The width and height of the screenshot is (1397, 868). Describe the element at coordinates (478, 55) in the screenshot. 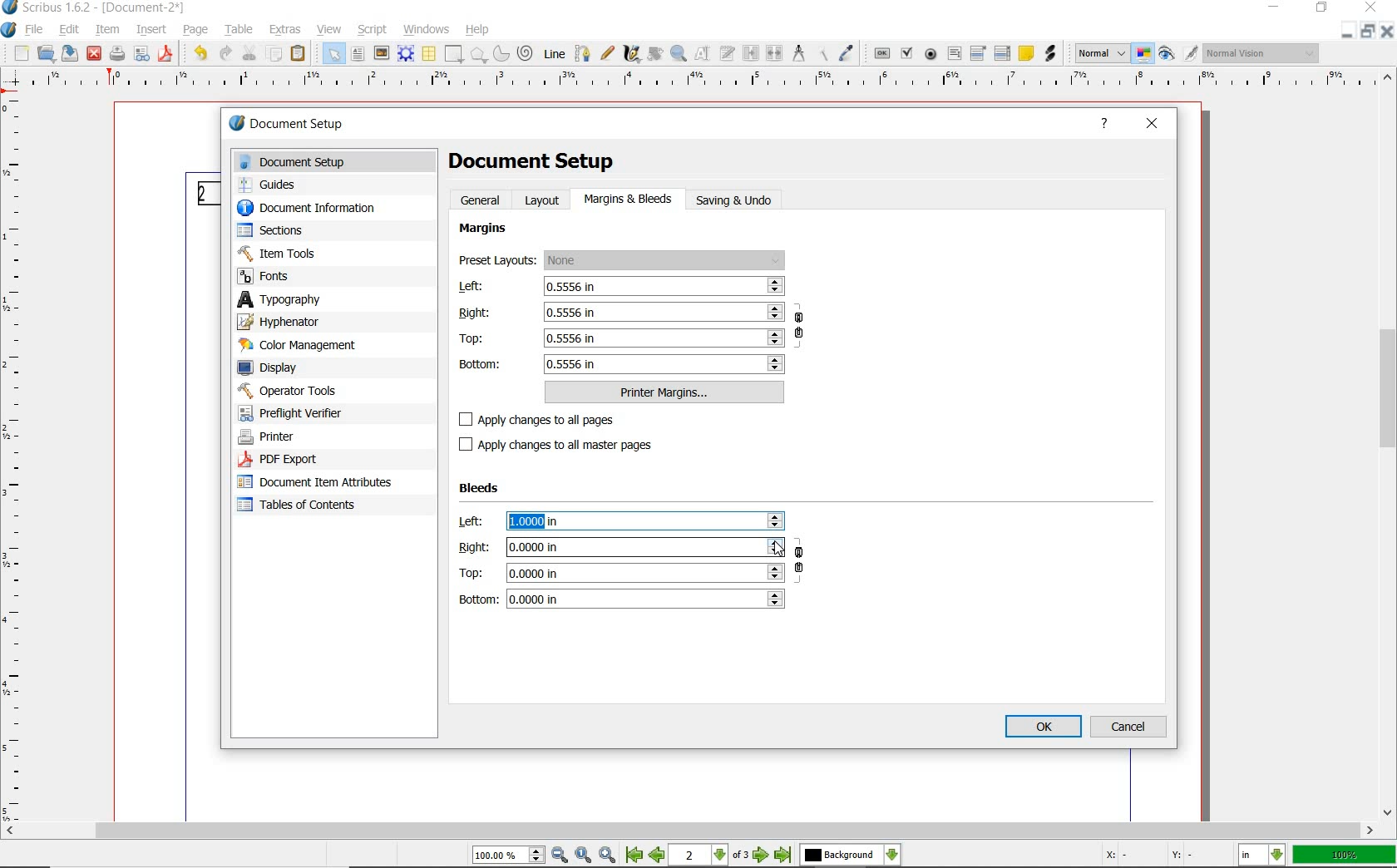

I see `polygon` at that location.